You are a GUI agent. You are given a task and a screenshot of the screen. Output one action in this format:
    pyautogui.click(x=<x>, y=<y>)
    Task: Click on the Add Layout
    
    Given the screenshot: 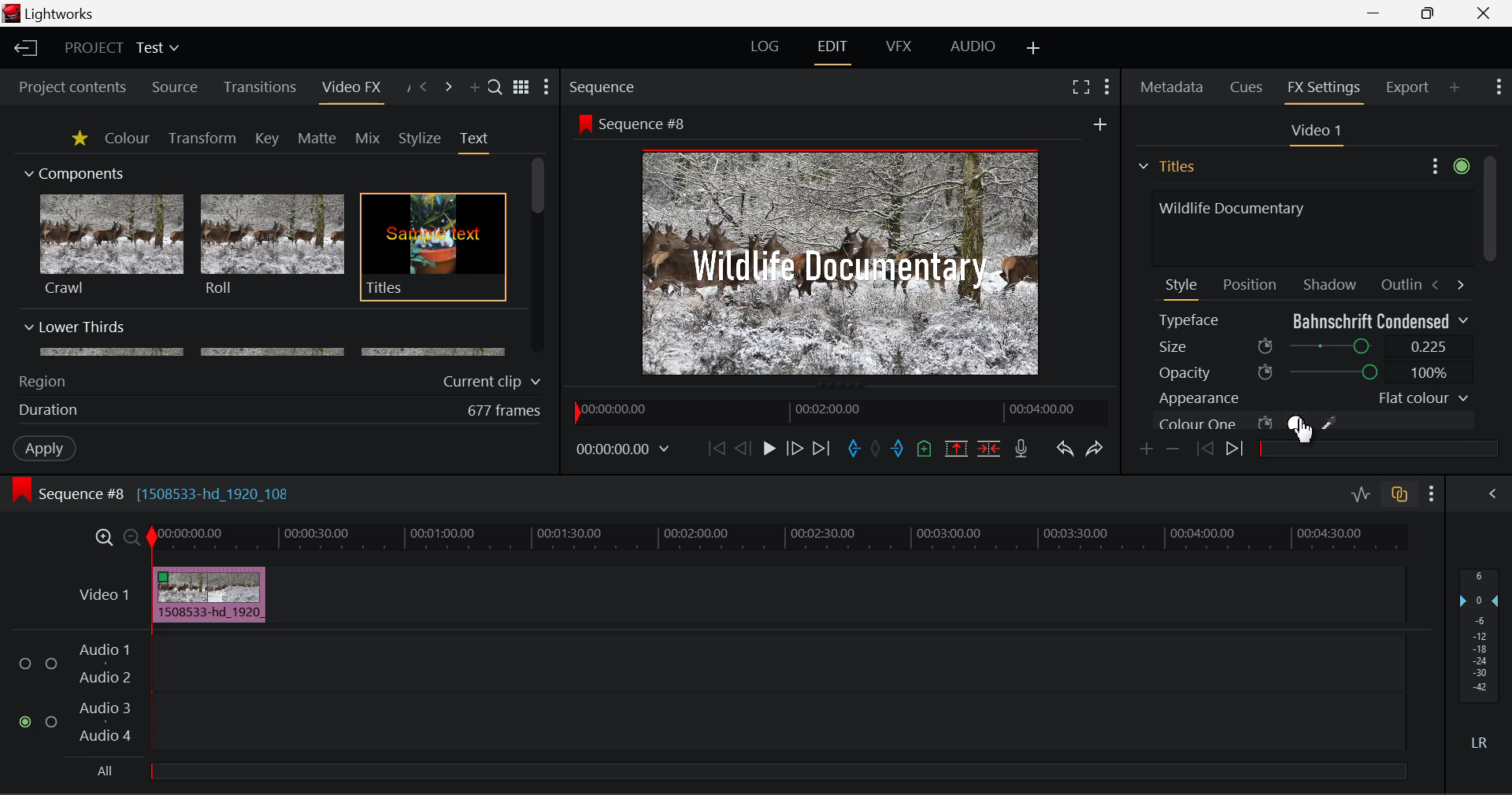 What is the action you would take?
    pyautogui.click(x=1036, y=50)
    